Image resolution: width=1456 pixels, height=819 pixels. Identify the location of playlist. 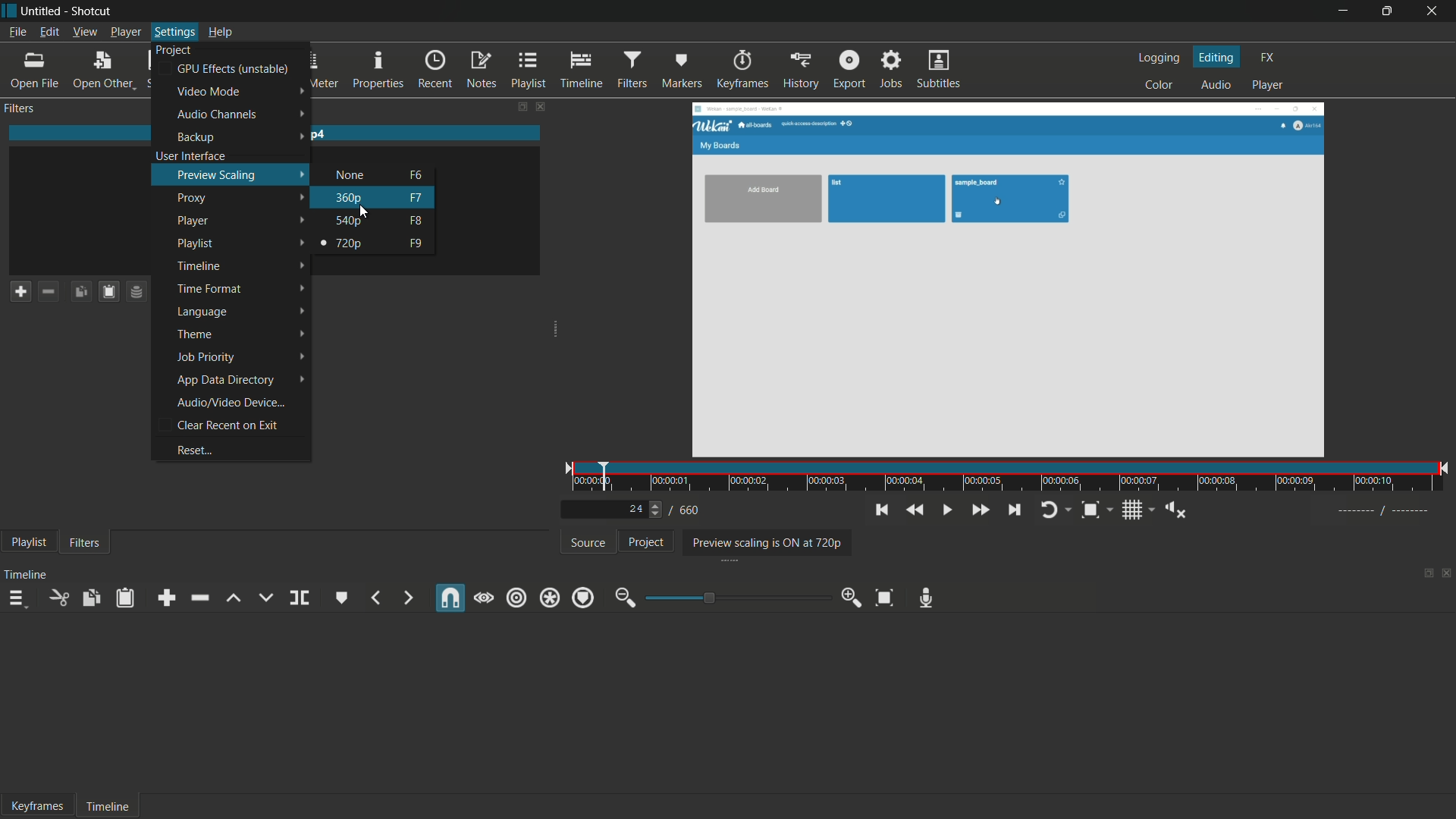
(529, 70).